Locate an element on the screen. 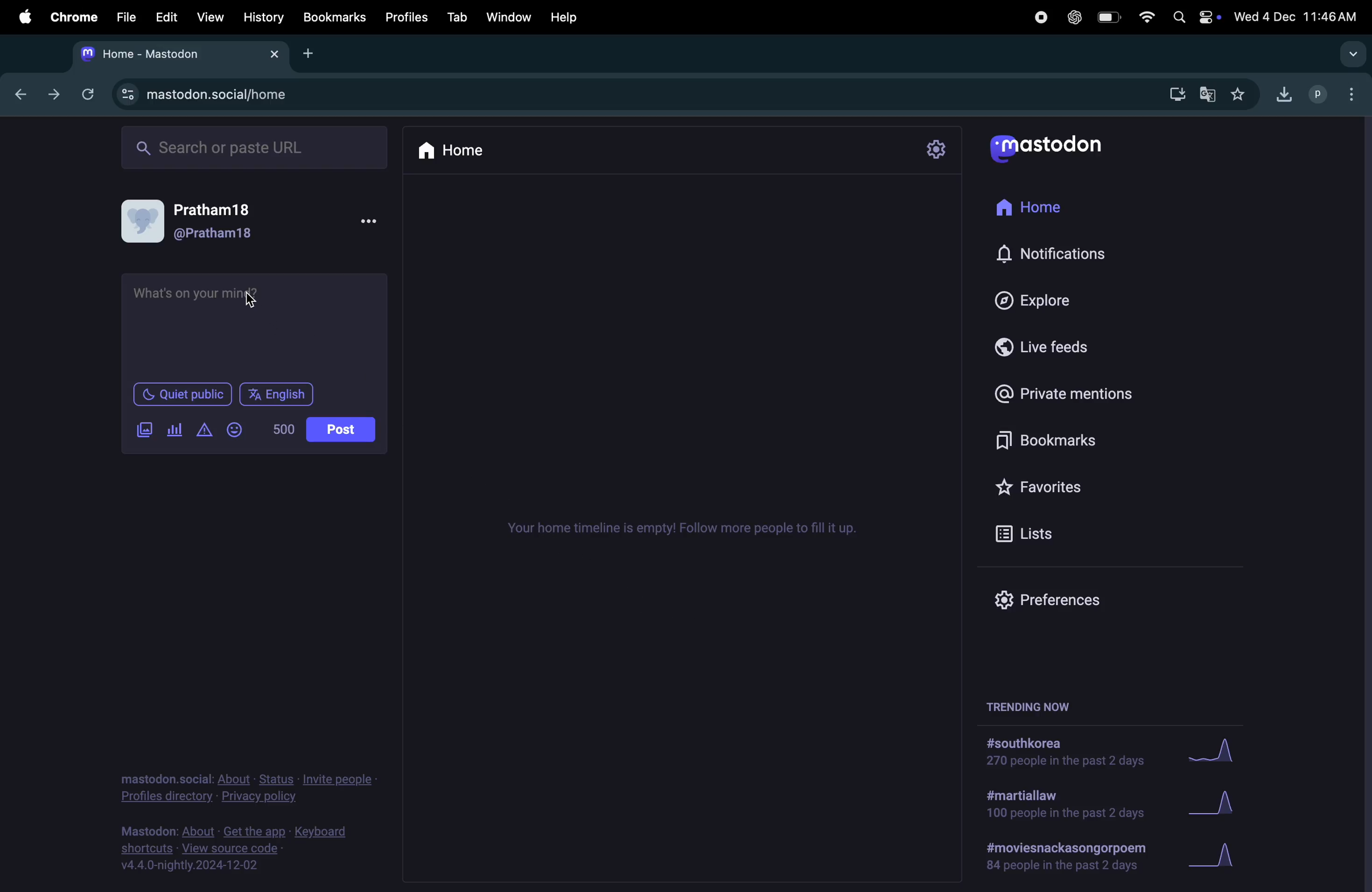 This screenshot has height=892, width=1372. wifi is located at coordinates (1145, 16).